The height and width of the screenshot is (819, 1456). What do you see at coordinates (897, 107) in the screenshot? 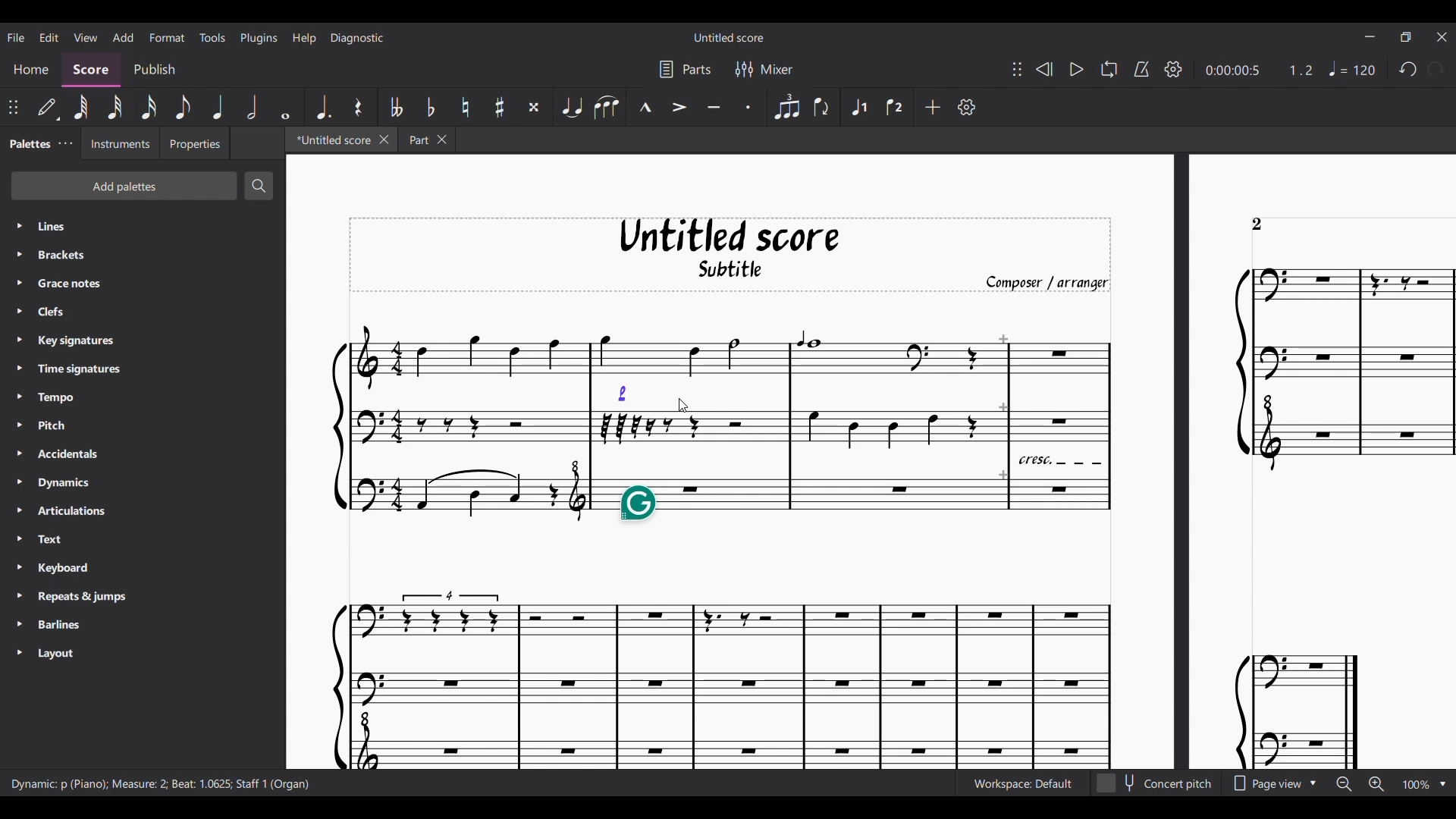
I see `Voice 2` at bounding box center [897, 107].